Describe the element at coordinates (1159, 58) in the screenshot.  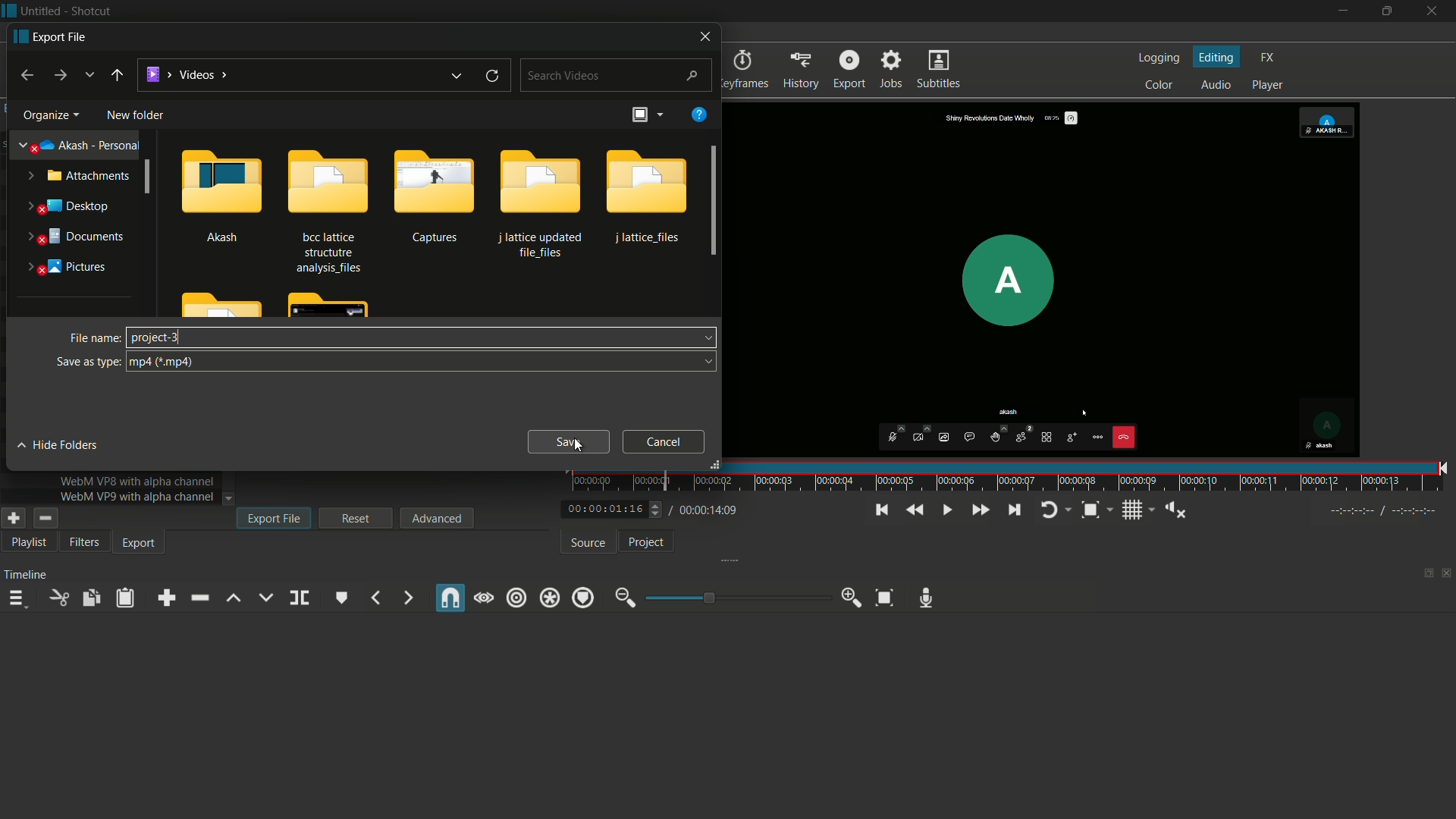
I see `logging` at that location.